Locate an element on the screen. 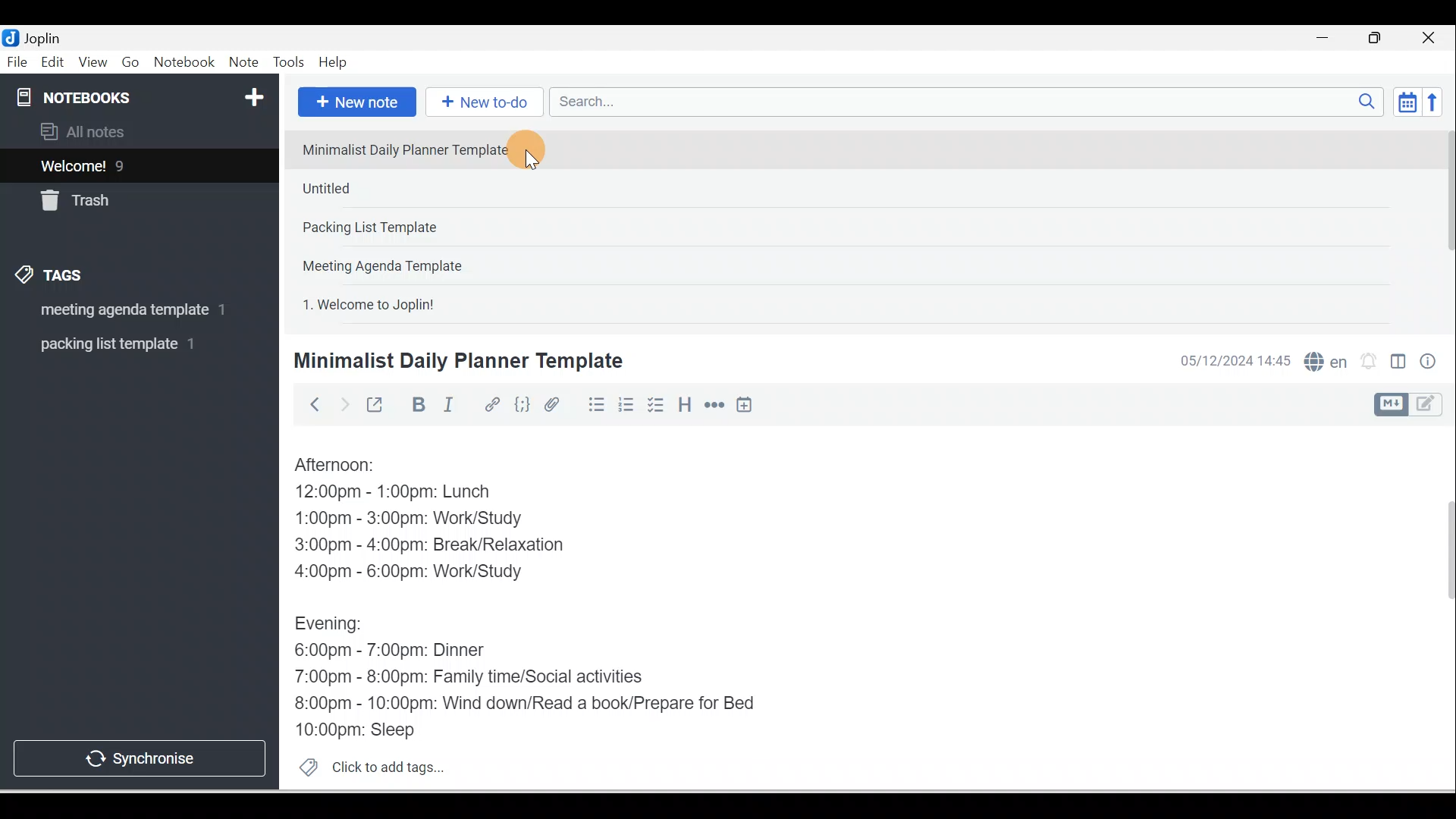  Afternoon: is located at coordinates (345, 466).